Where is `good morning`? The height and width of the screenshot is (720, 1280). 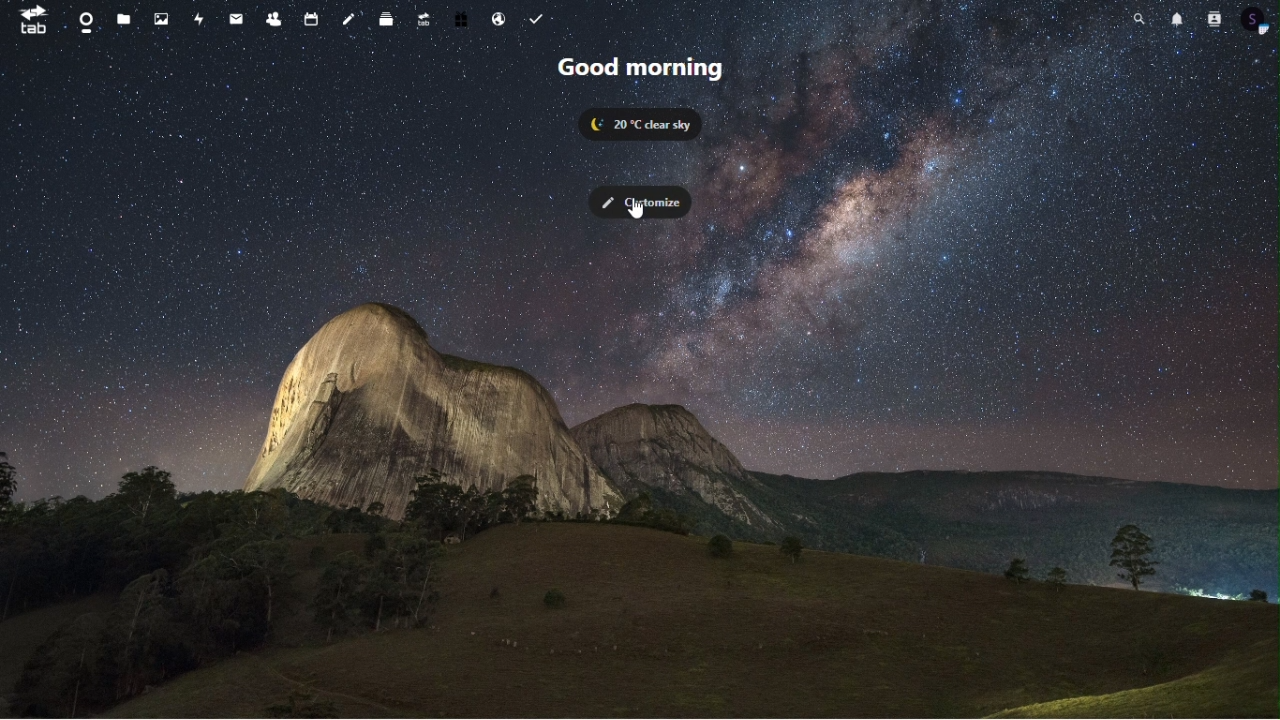
good morning is located at coordinates (636, 67).